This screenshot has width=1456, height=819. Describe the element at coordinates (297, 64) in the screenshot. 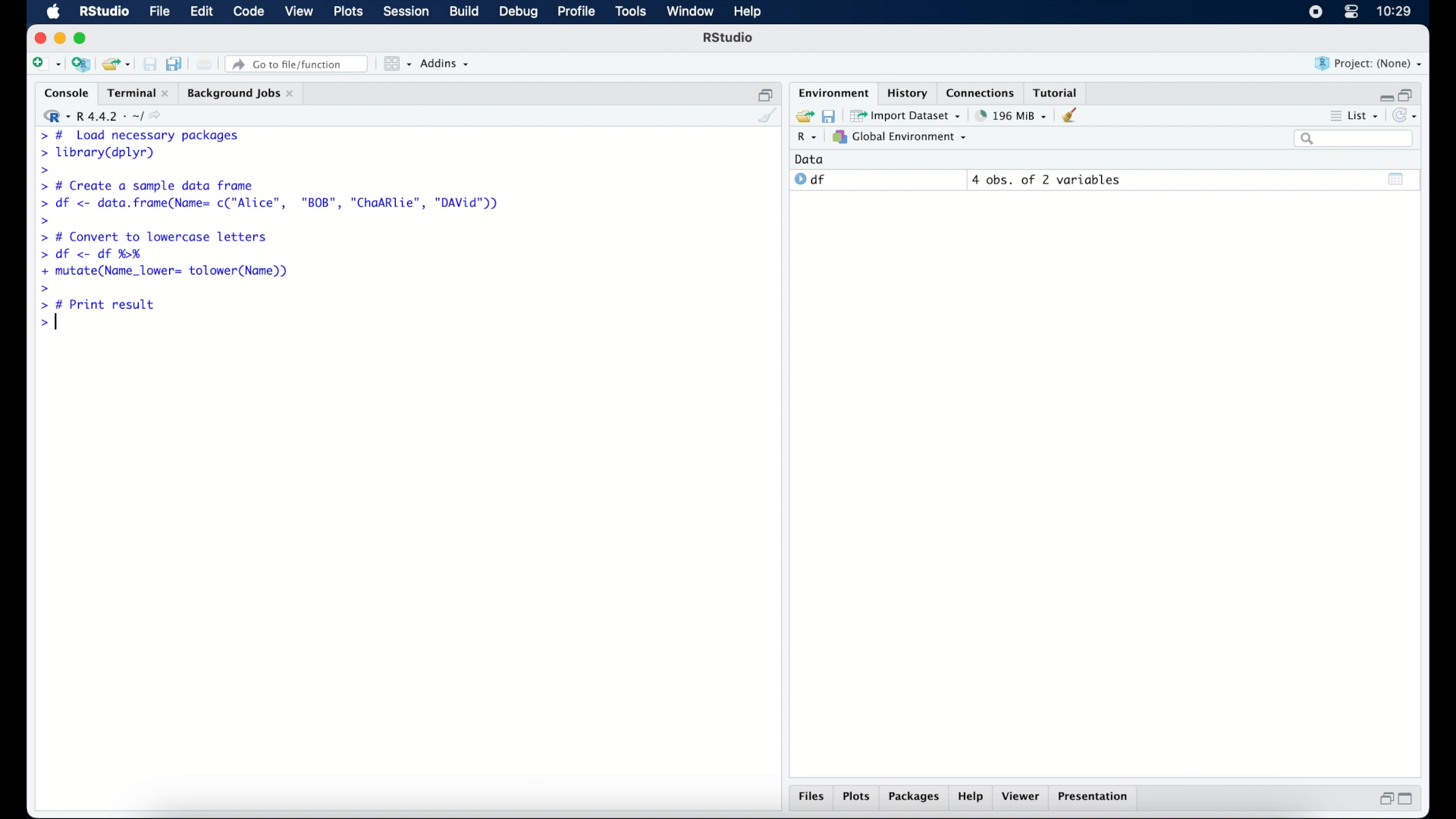

I see `go to file/function` at that location.